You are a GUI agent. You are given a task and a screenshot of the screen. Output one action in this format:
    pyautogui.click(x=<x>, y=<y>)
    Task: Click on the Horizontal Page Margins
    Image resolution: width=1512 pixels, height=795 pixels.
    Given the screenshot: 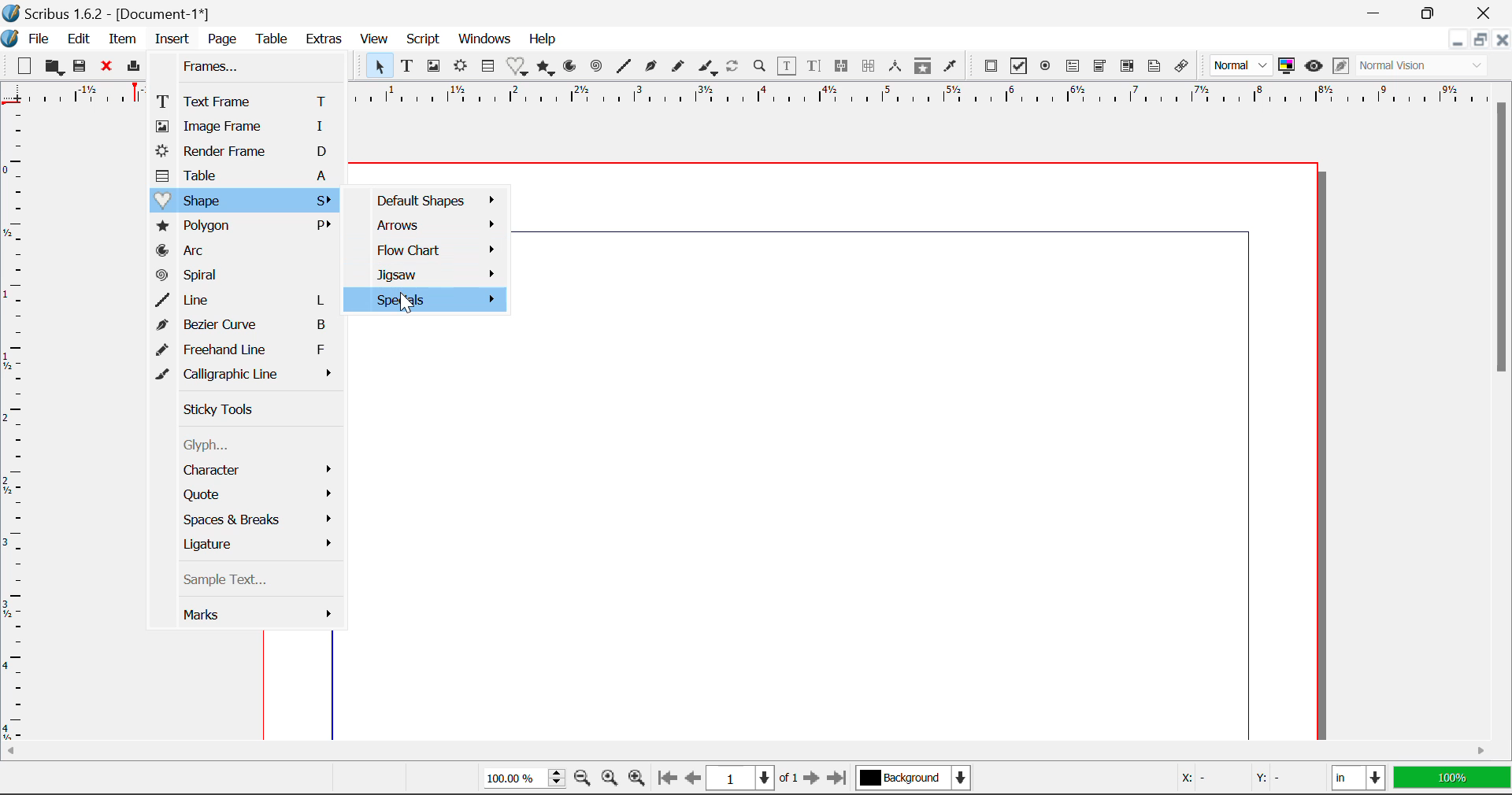 What is the action you would take?
    pyautogui.click(x=14, y=427)
    